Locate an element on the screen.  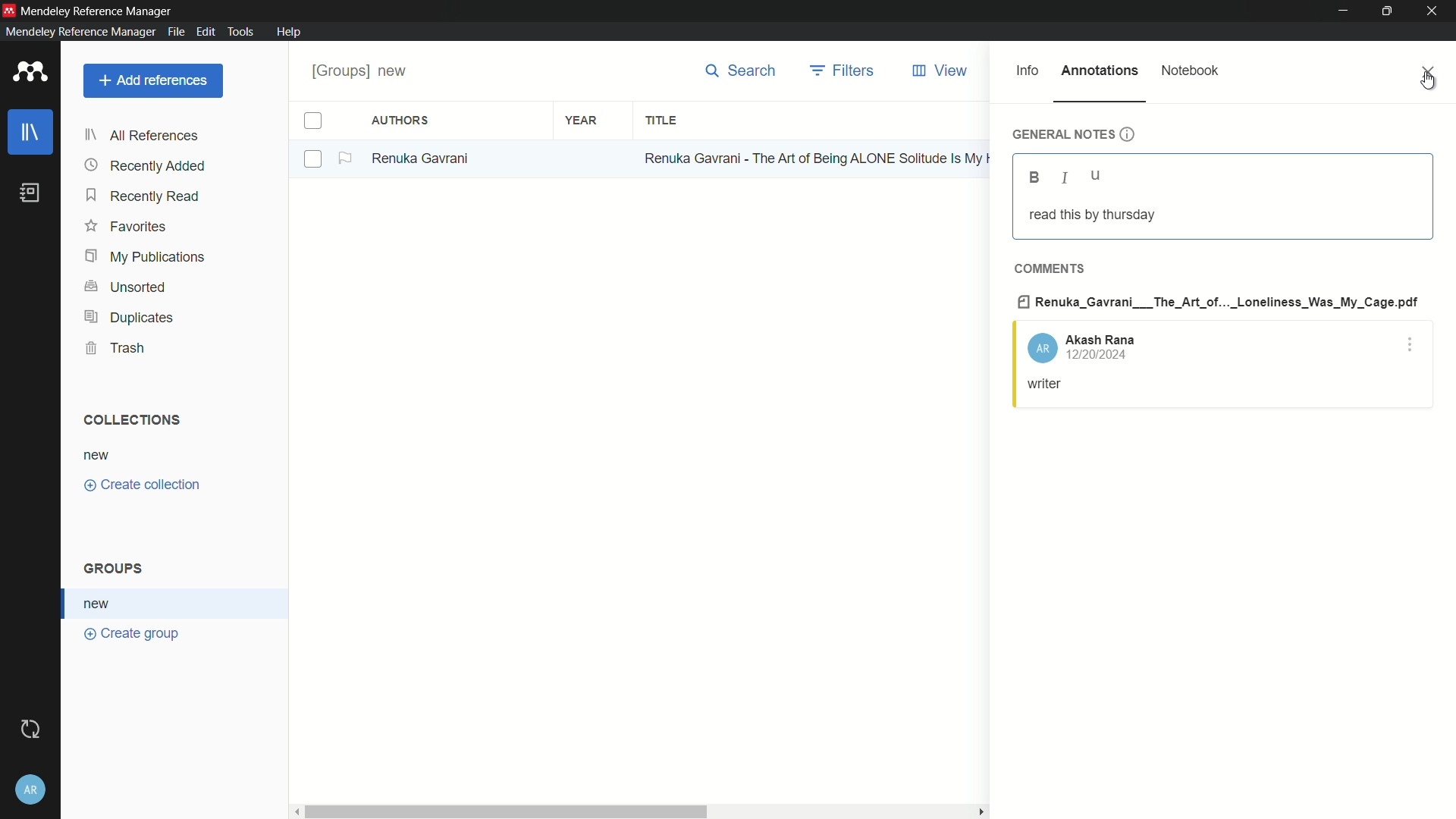
cursor is located at coordinates (1428, 80).